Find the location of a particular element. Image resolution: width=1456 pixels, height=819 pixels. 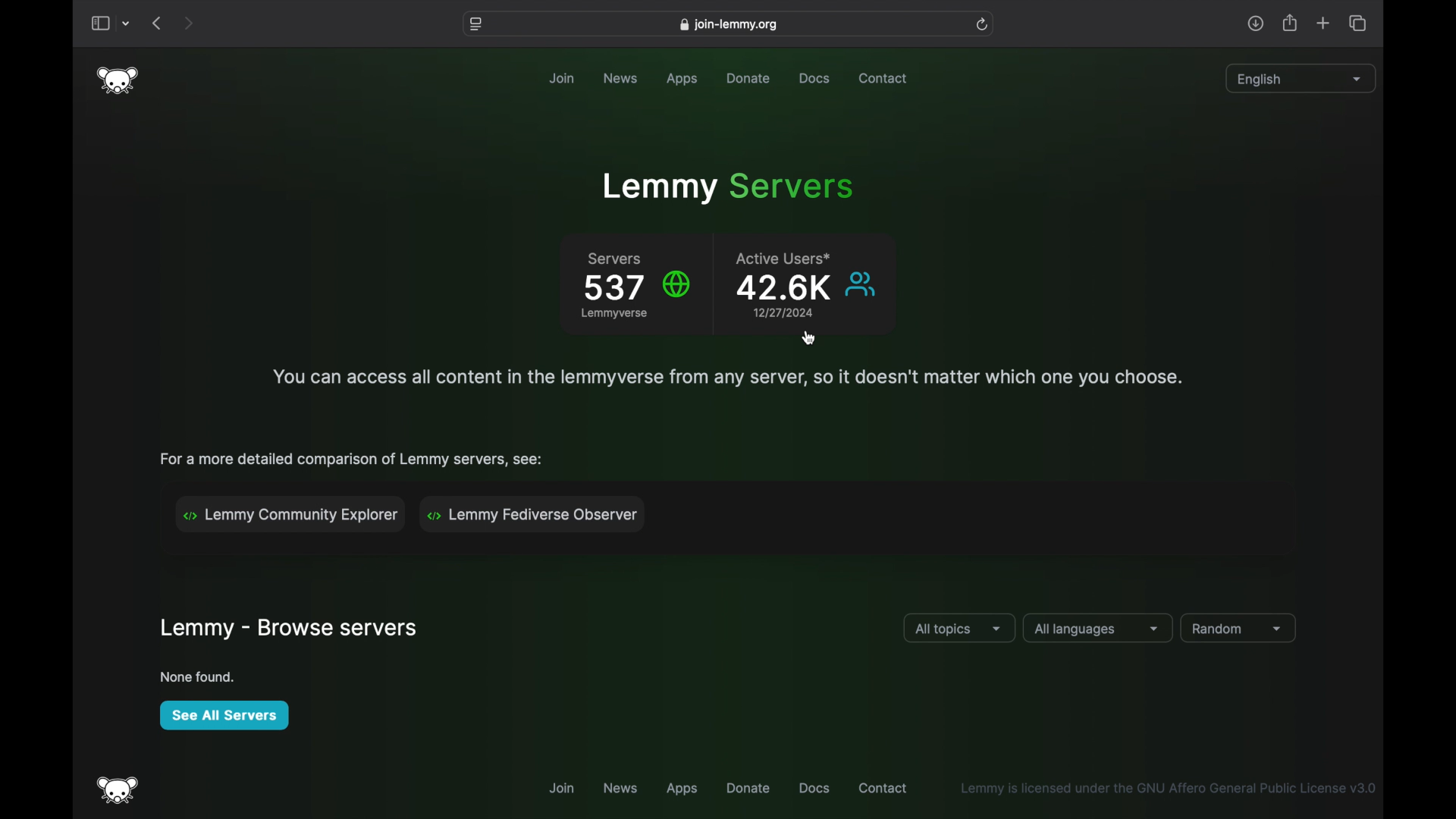

previous page is located at coordinates (156, 23).